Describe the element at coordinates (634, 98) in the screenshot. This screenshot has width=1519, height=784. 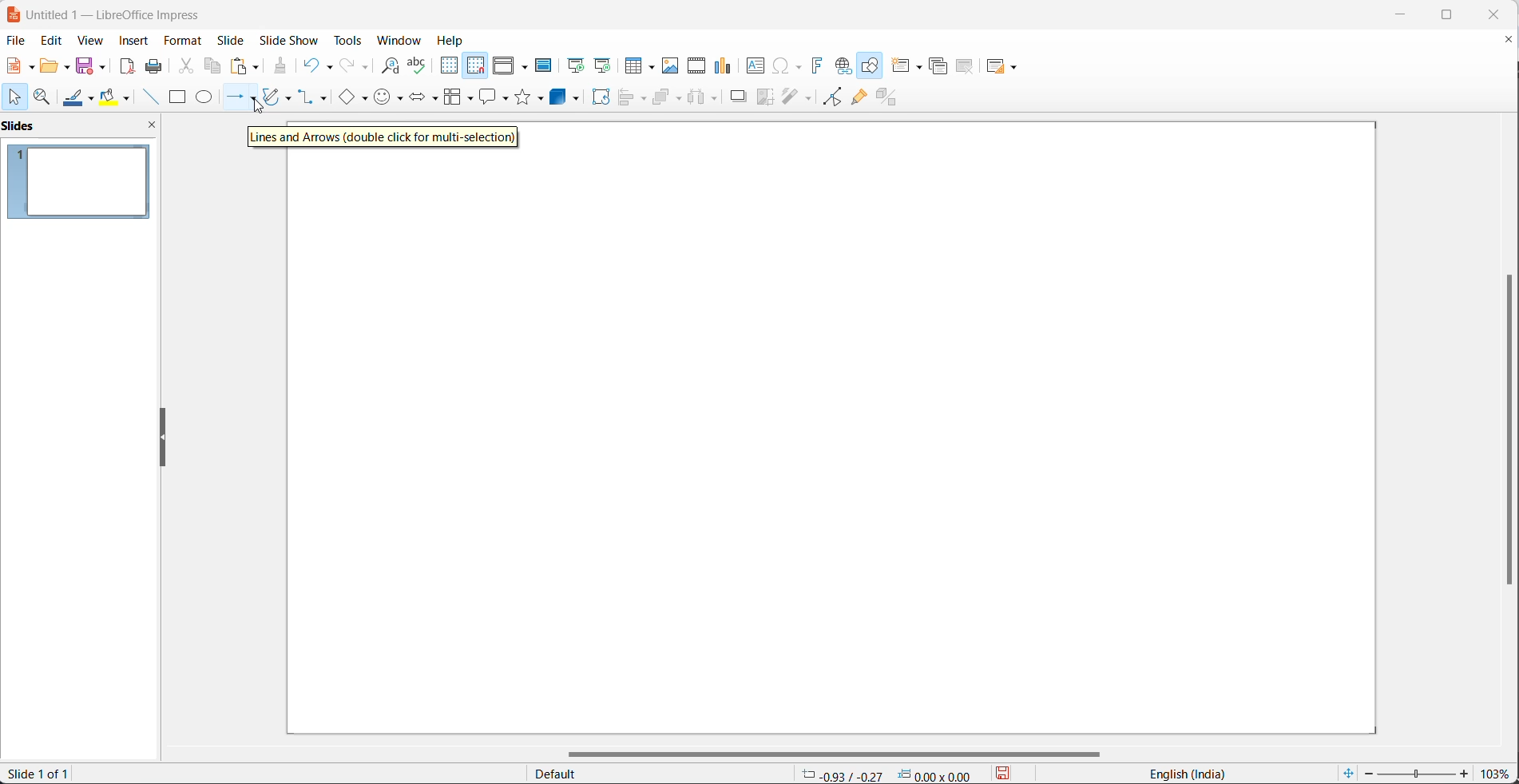
I see `align` at that location.